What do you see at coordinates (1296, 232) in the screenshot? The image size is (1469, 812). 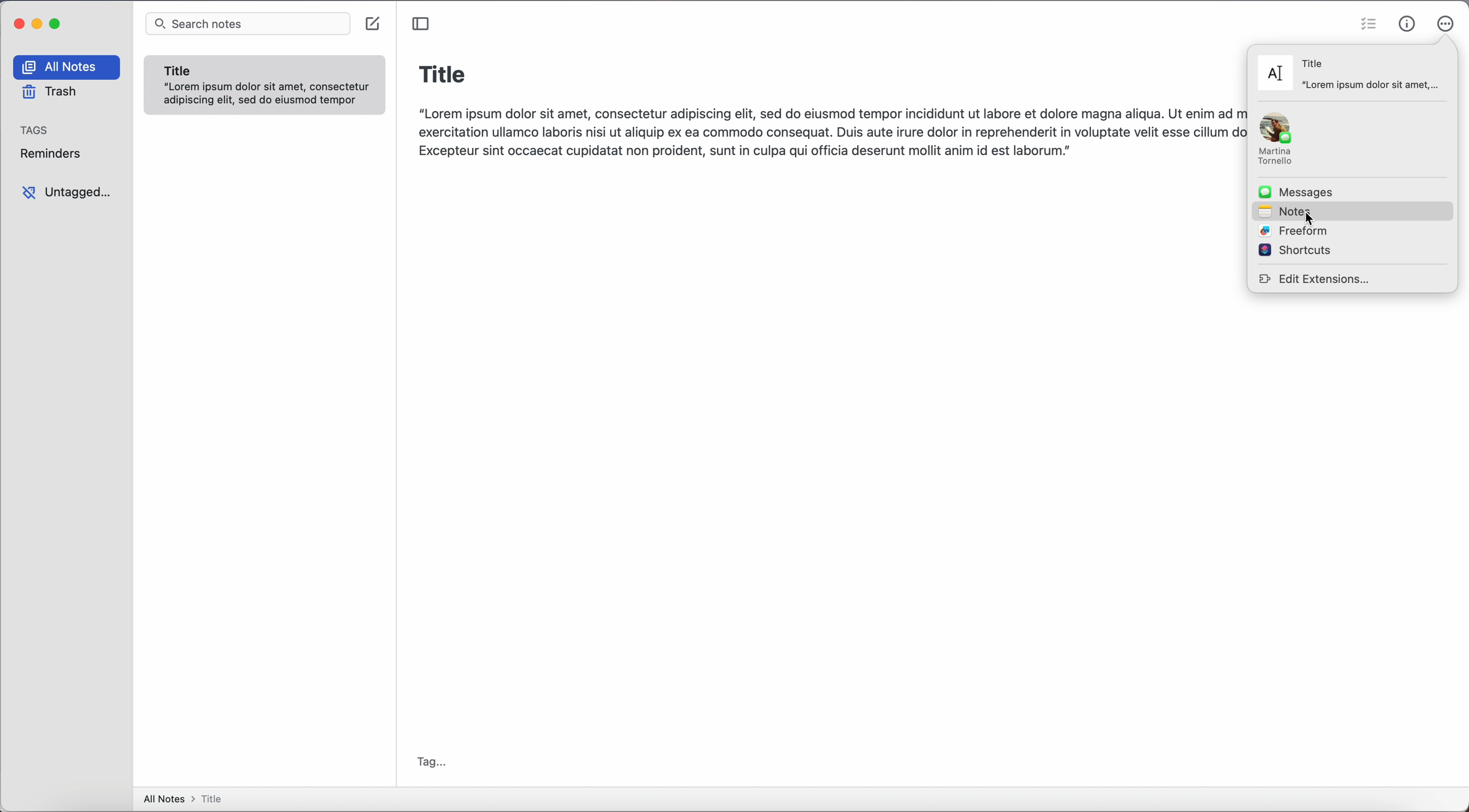 I see `freeform` at bounding box center [1296, 232].